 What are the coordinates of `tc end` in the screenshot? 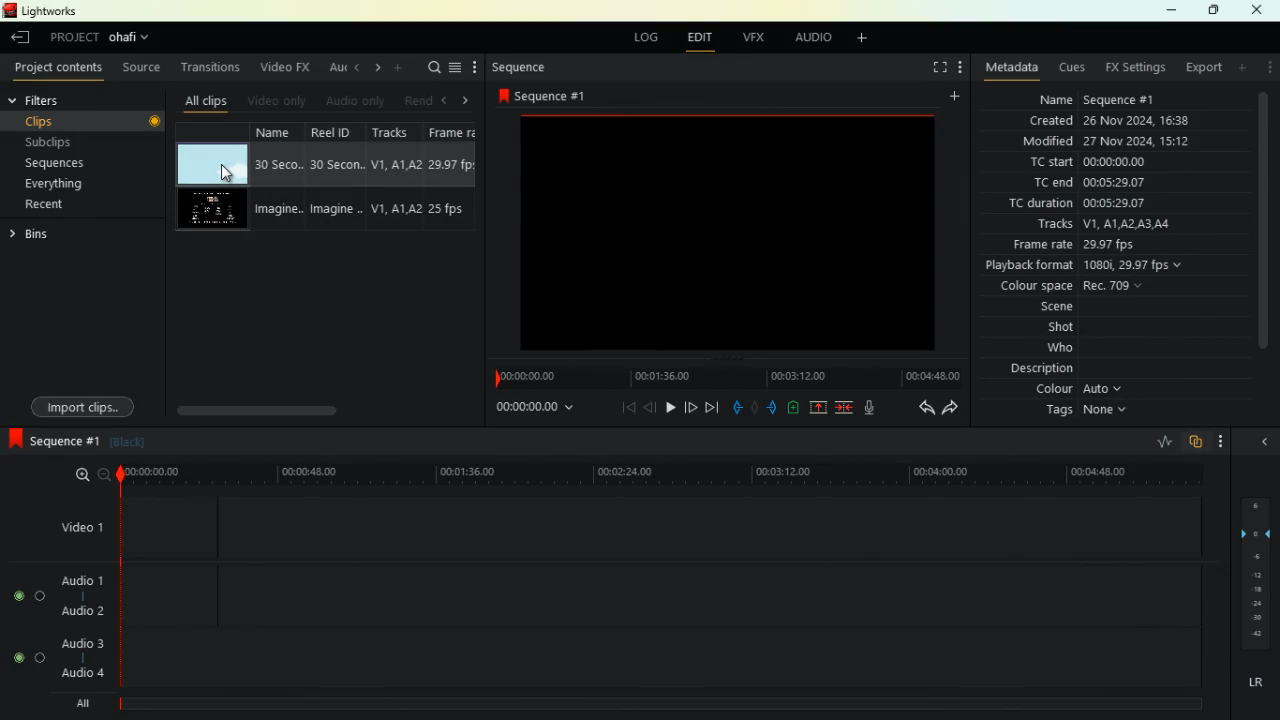 It's located at (1090, 182).